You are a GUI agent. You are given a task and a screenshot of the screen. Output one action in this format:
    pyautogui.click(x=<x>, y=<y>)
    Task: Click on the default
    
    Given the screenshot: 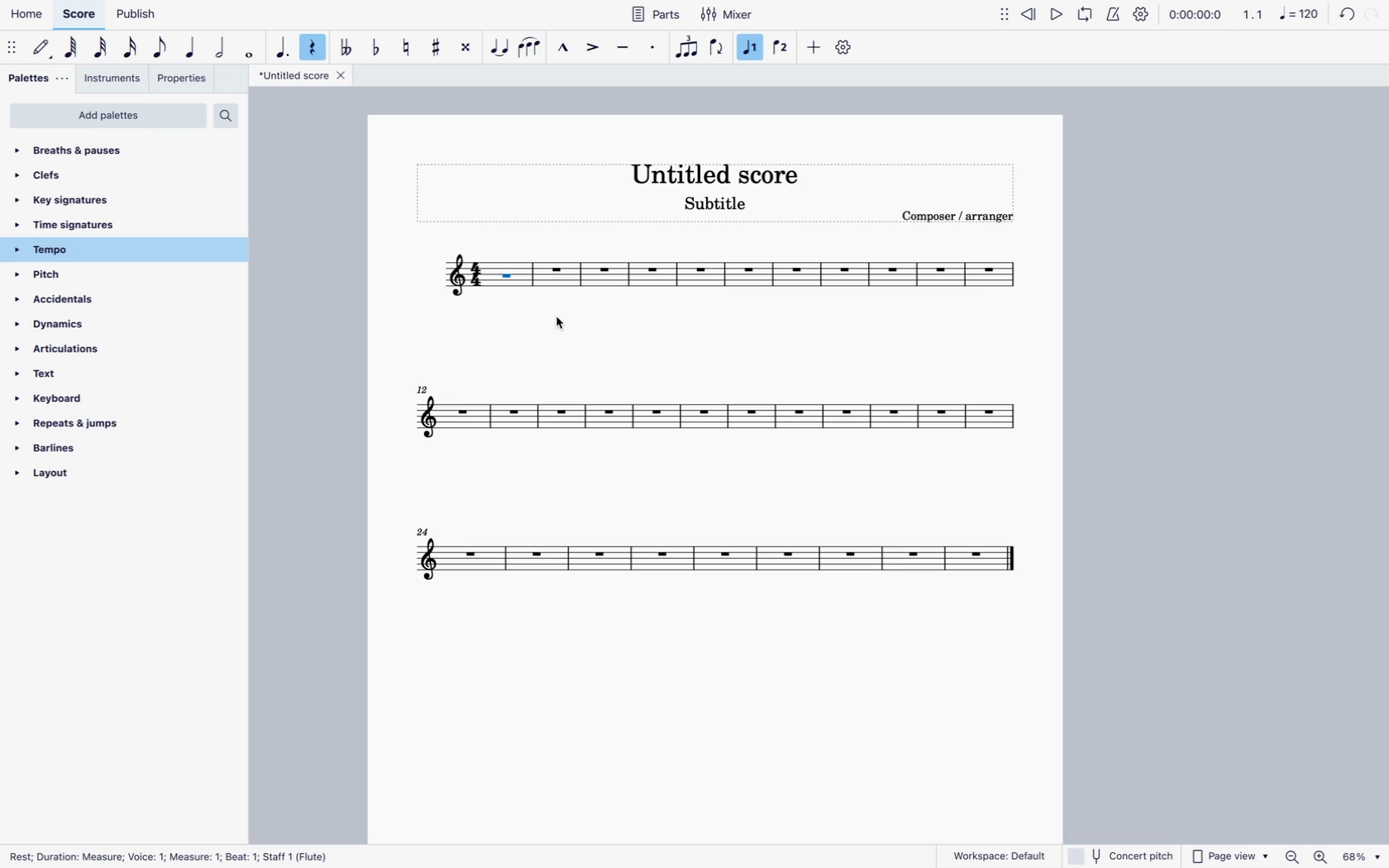 What is the action you would take?
    pyautogui.click(x=43, y=48)
    